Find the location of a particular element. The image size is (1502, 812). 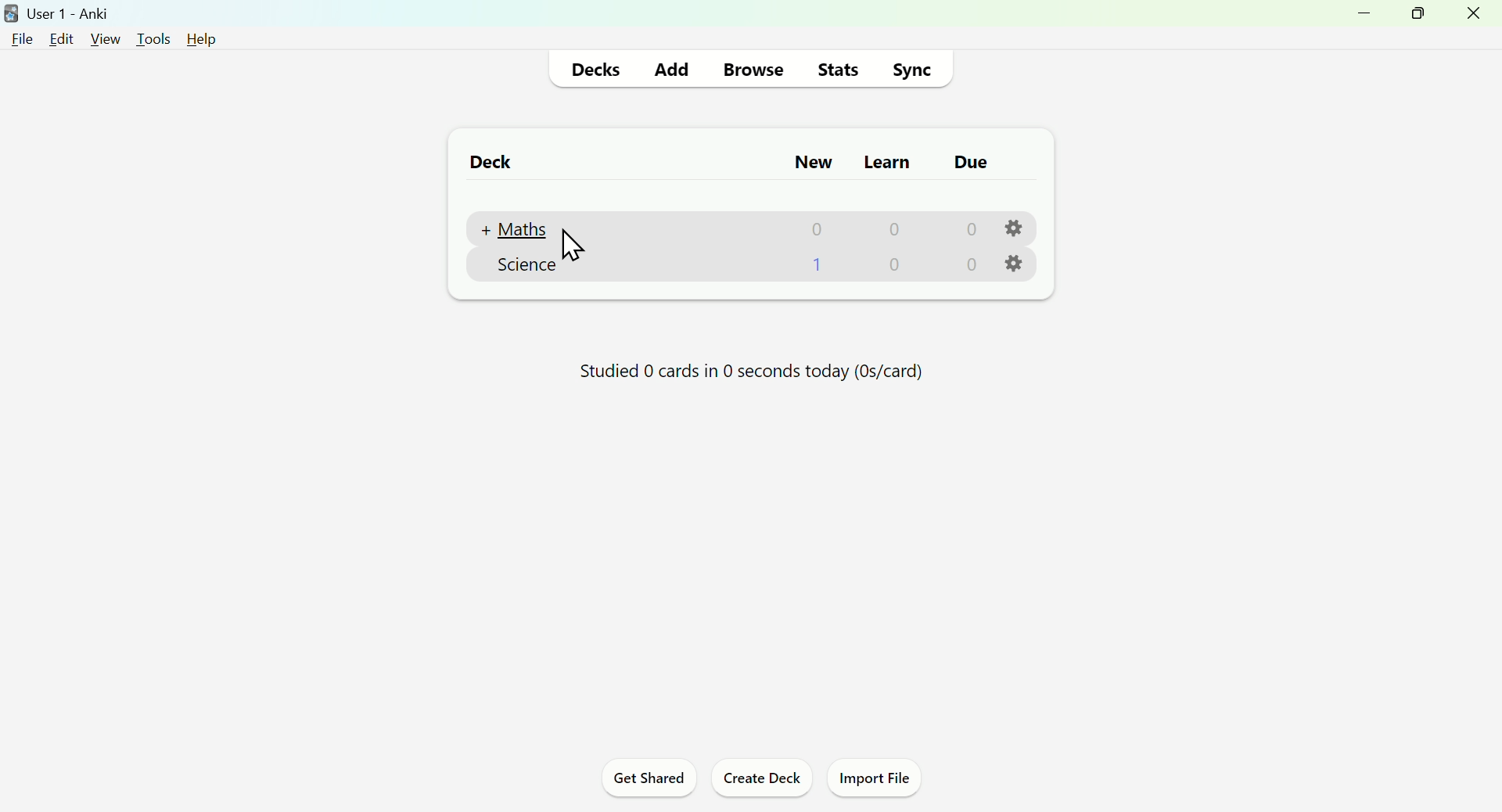

Studied 0 cards in 0 seconds today (Os/card) is located at coordinates (749, 375).